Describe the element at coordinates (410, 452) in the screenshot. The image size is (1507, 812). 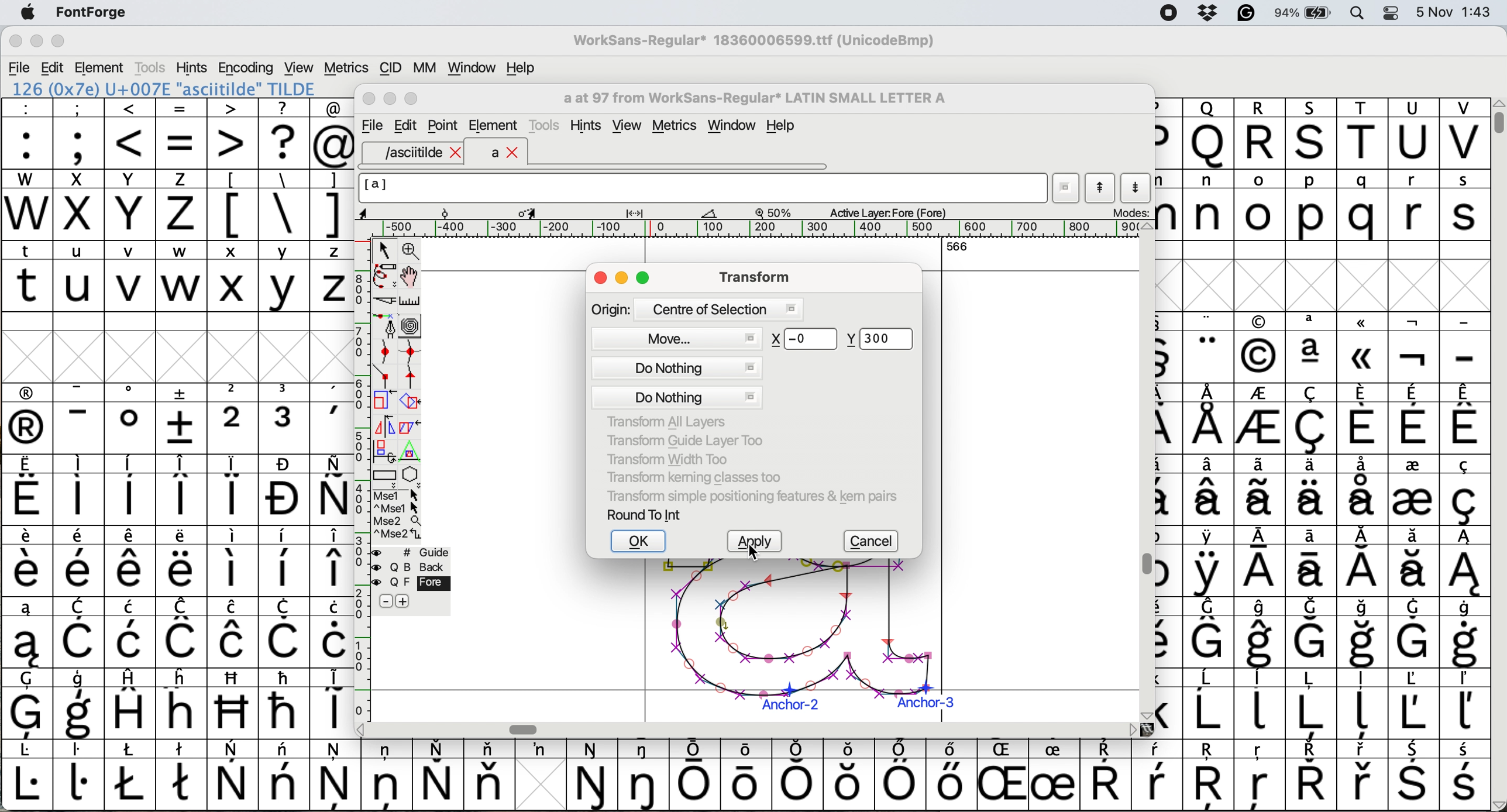
I see `perform a perspective transformation on selection` at that location.